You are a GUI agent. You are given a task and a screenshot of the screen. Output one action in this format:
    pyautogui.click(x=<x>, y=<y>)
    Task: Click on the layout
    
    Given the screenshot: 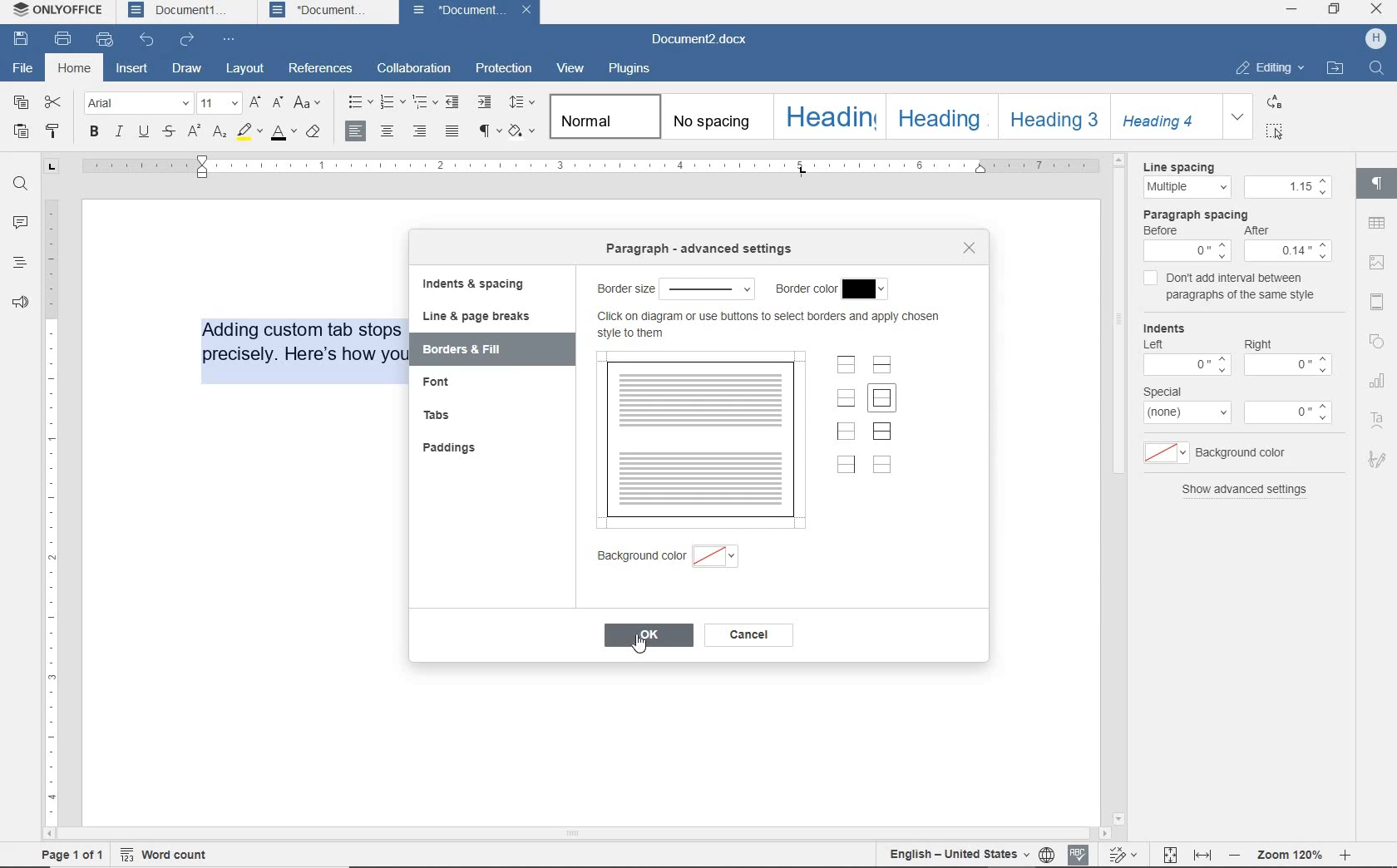 What is the action you would take?
    pyautogui.click(x=248, y=68)
    